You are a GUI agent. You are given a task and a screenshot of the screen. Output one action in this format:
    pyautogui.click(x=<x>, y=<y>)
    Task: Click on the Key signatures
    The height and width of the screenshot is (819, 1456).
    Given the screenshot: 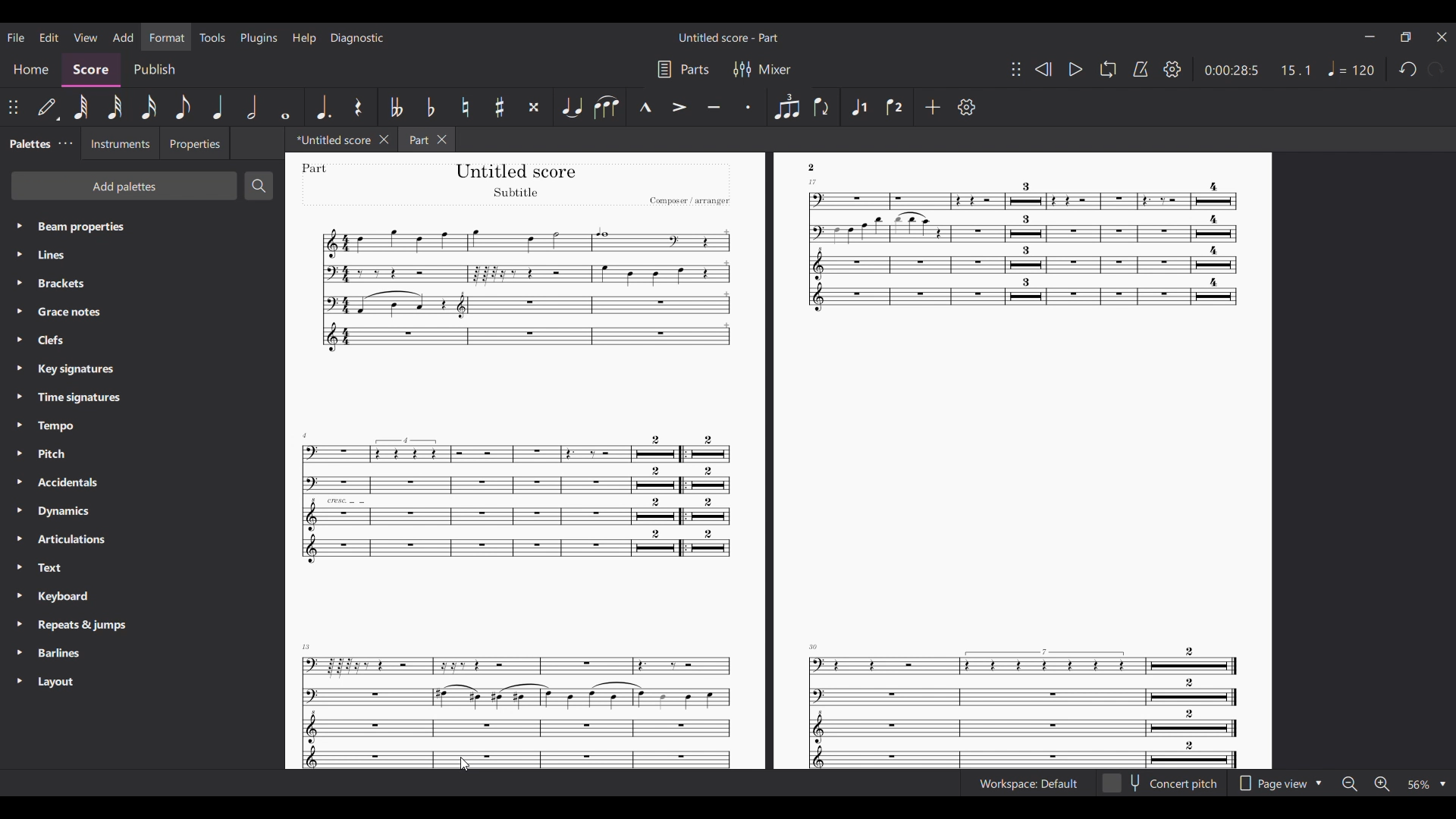 What is the action you would take?
    pyautogui.click(x=70, y=371)
    